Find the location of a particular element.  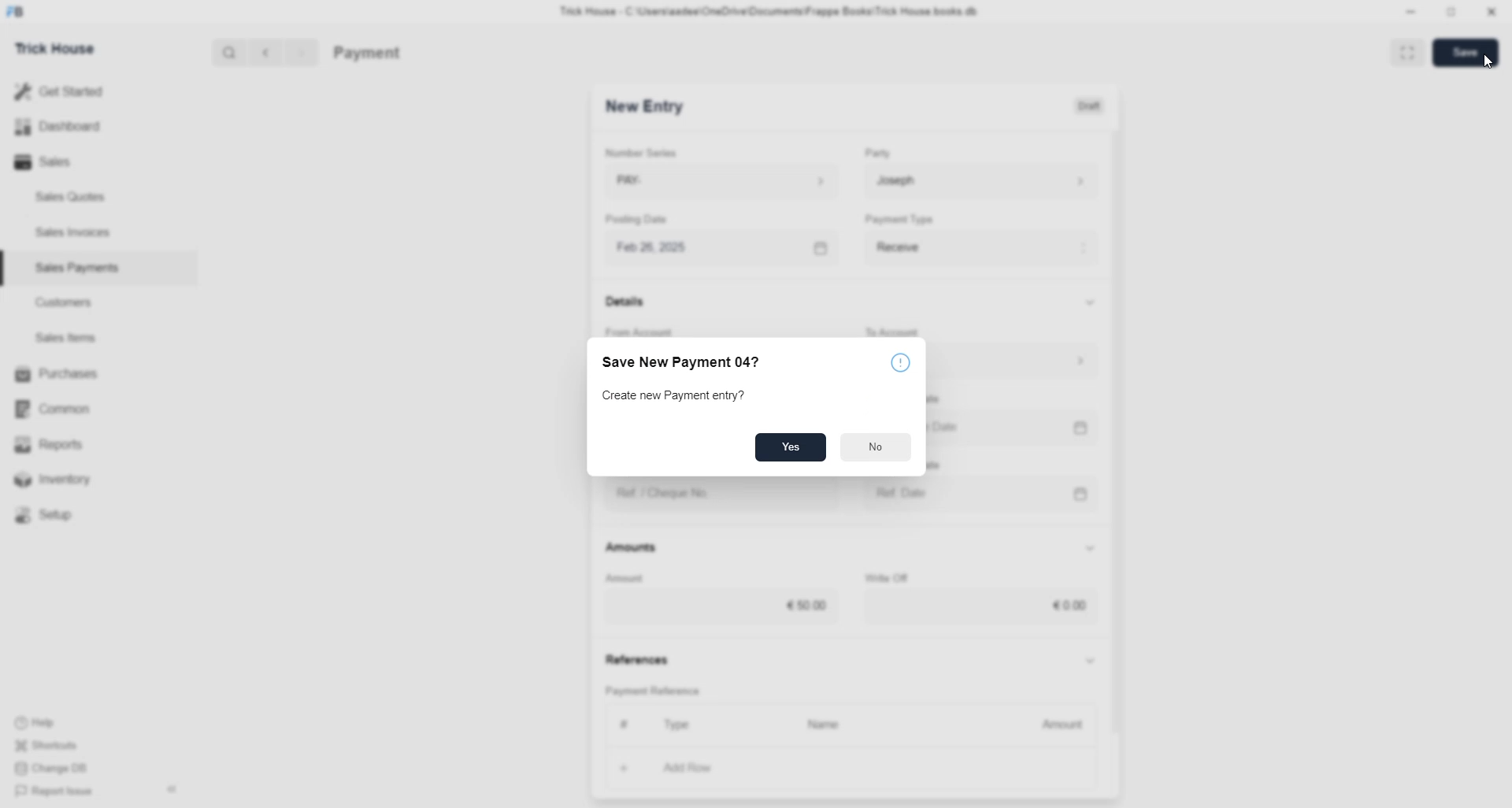

Search is located at coordinates (229, 52).